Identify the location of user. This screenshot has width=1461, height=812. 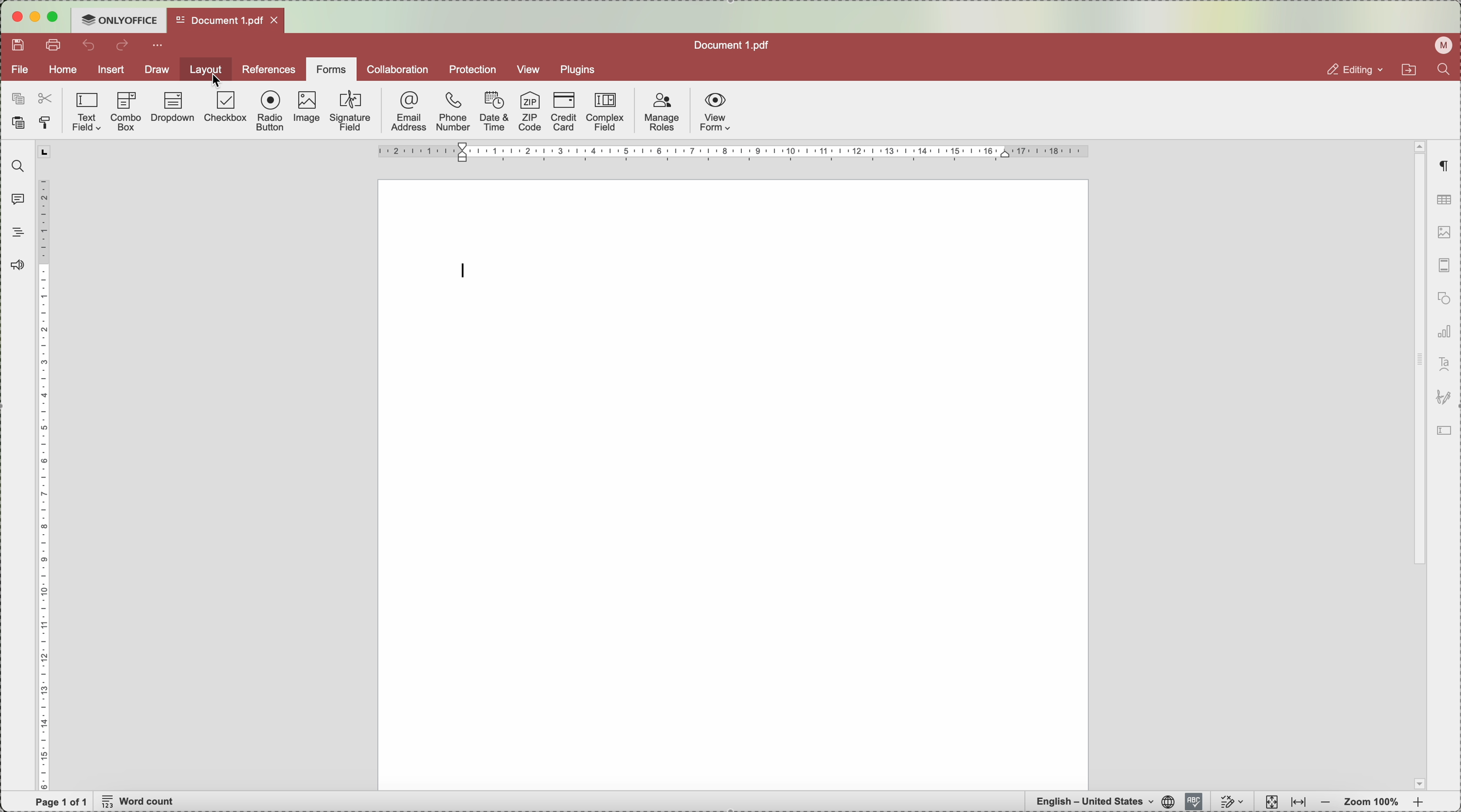
(1440, 46).